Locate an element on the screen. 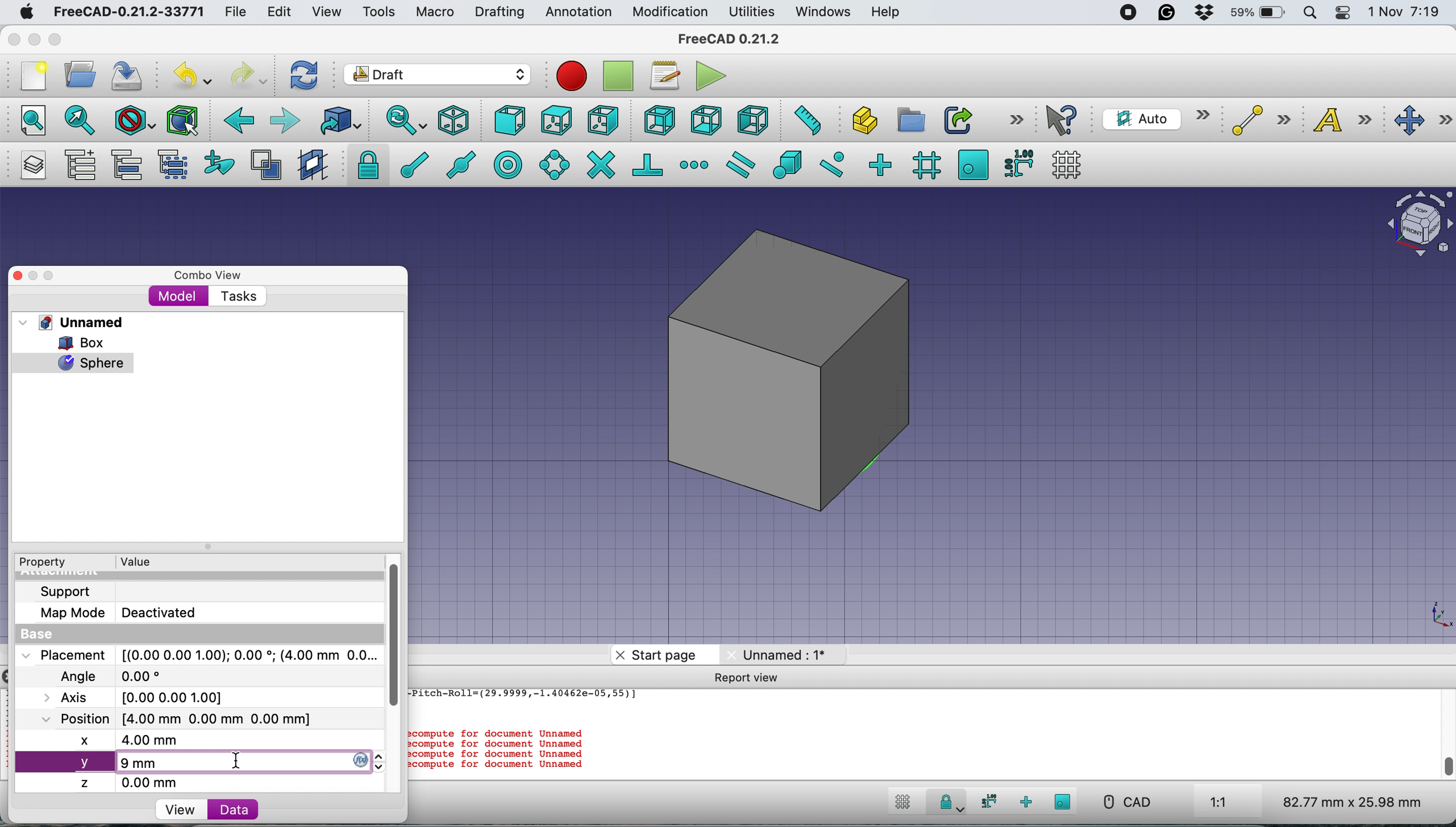 The image size is (1456, 827). rear is located at coordinates (658, 120).